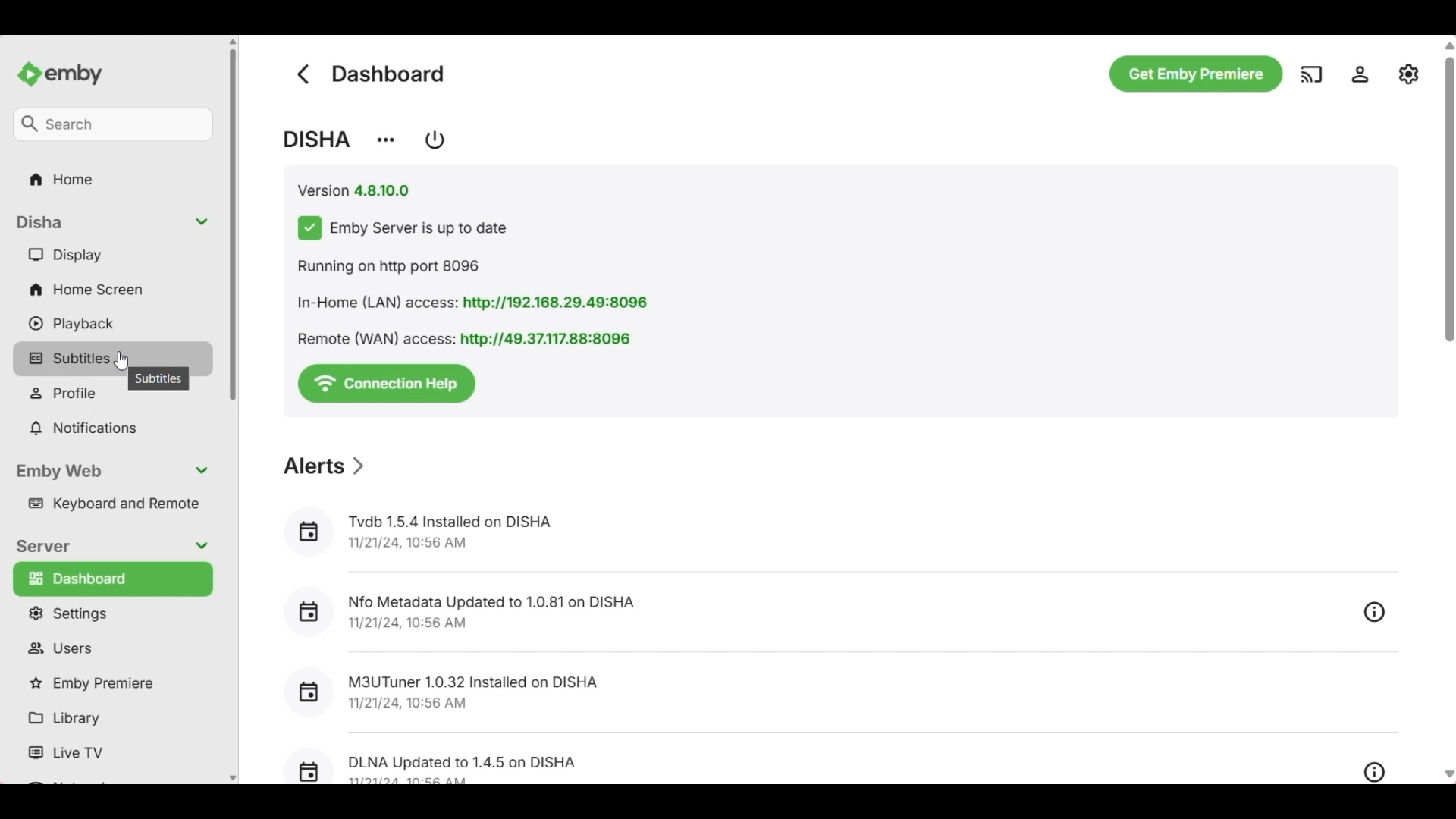 This screenshot has height=819, width=1456. Describe the element at coordinates (58, 178) in the screenshot. I see `` at that location.